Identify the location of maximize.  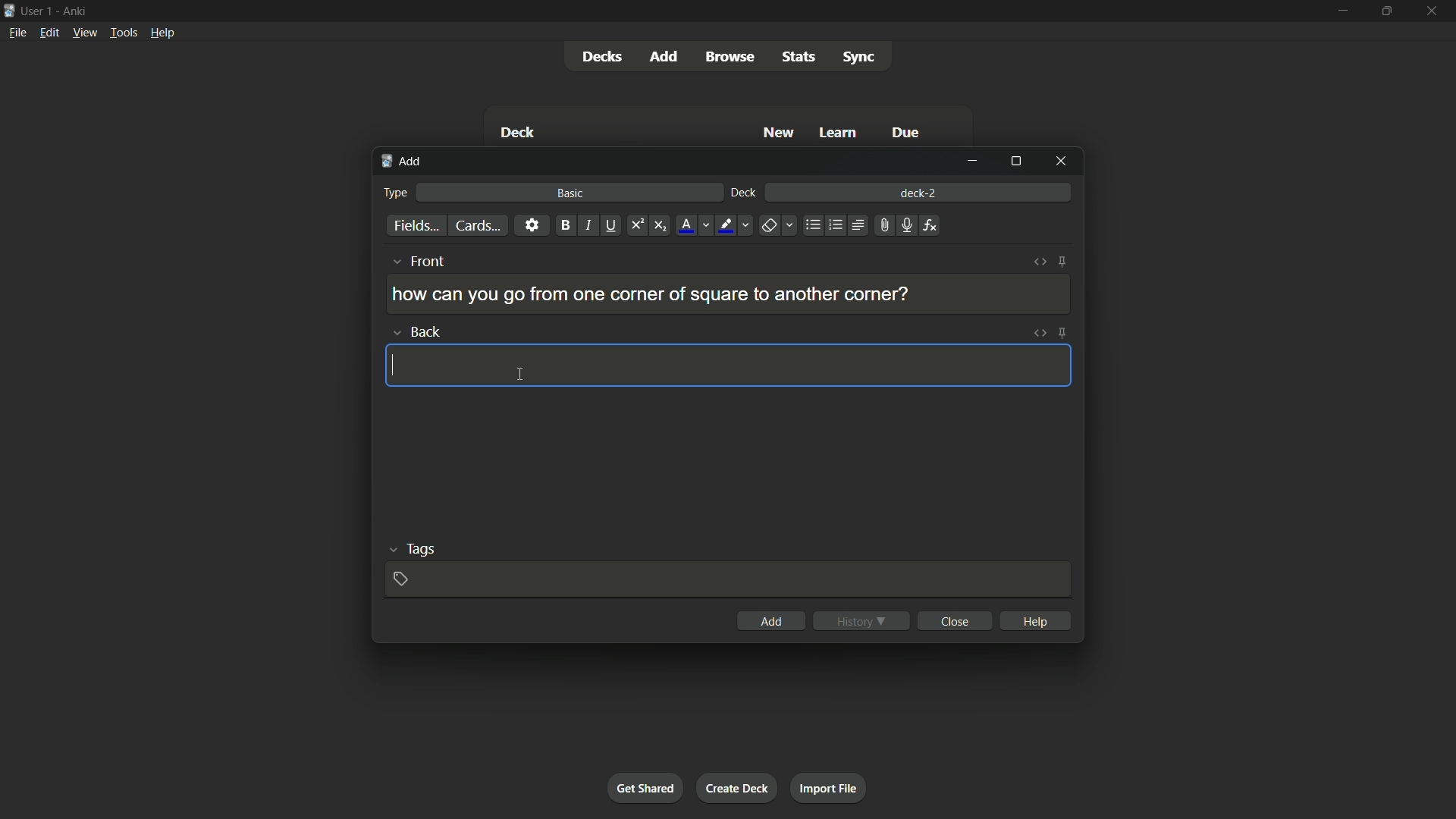
(1017, 160).